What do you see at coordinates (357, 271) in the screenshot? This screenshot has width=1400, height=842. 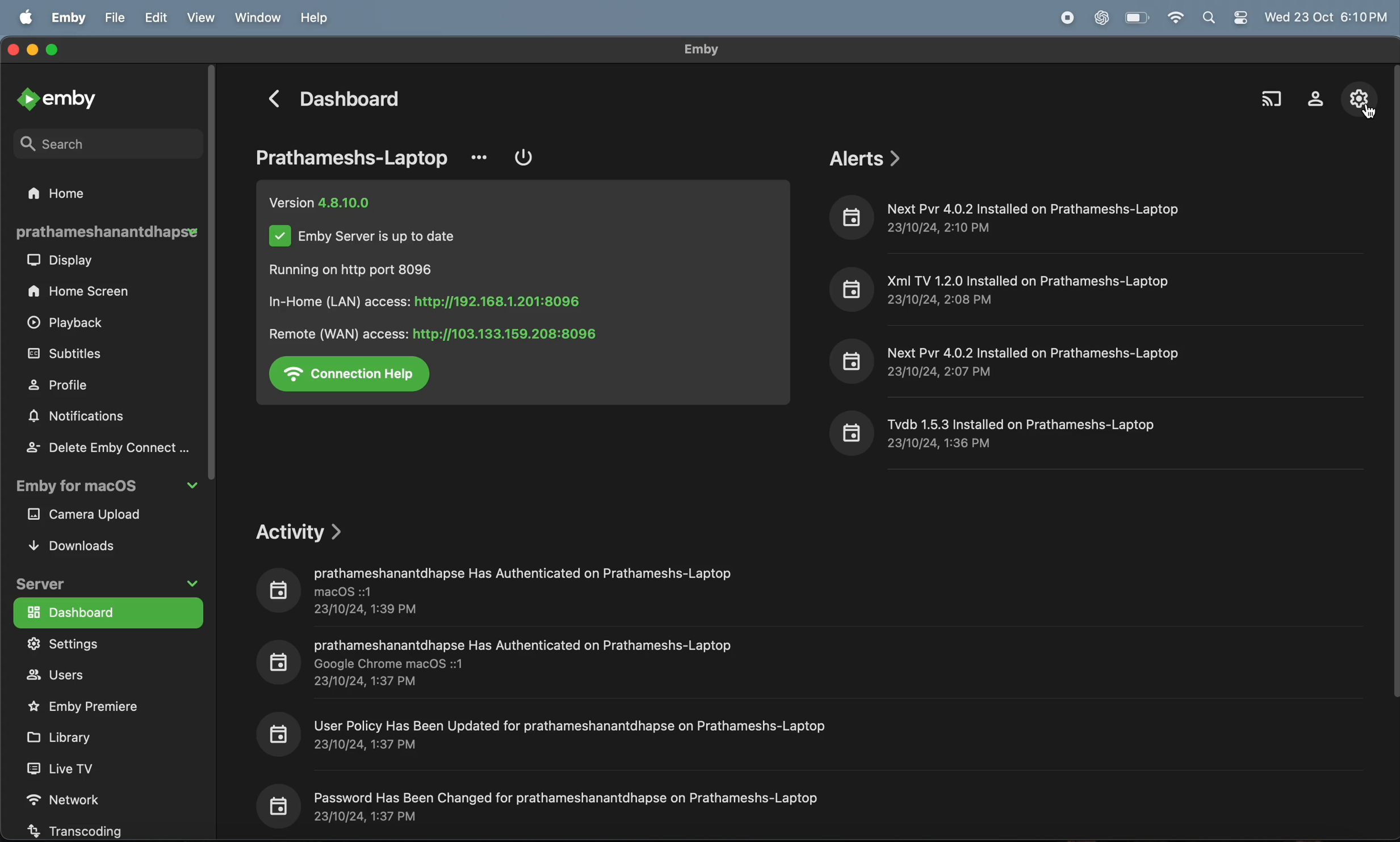 I see `Running on http port 8096` at bounding box center [357, 271].